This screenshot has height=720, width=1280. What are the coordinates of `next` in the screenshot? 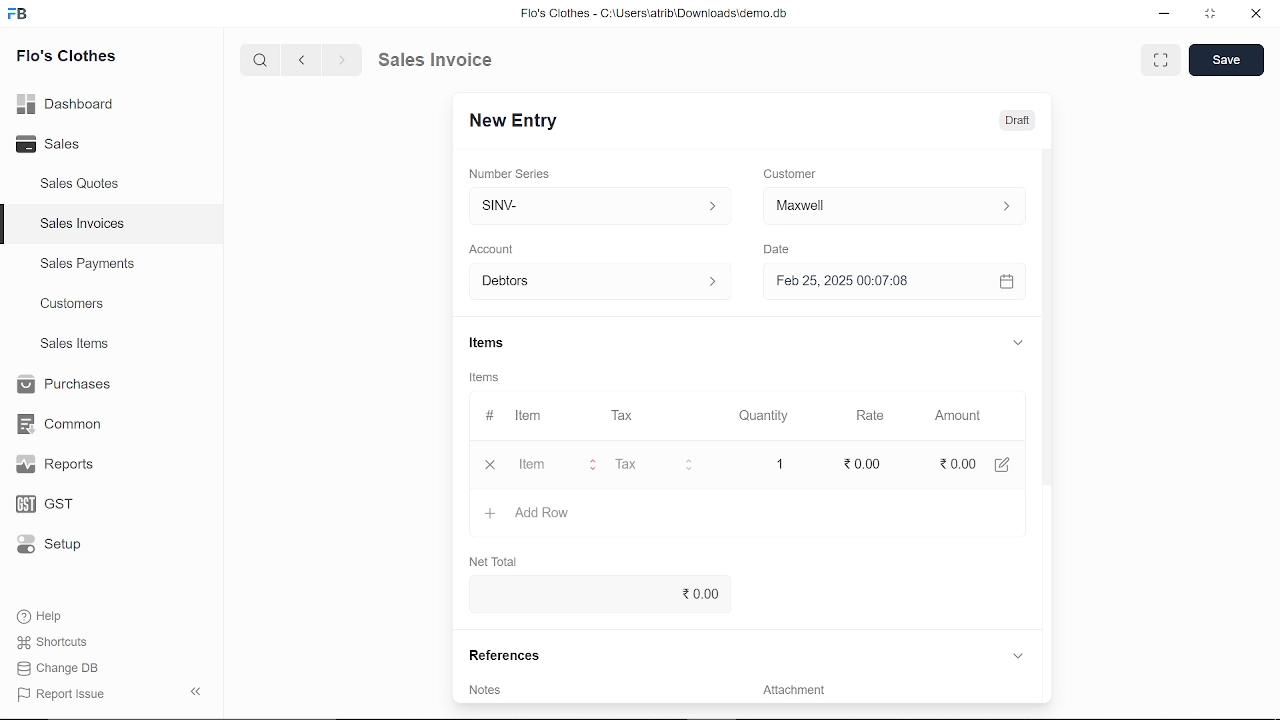 It's located at (342, 60).